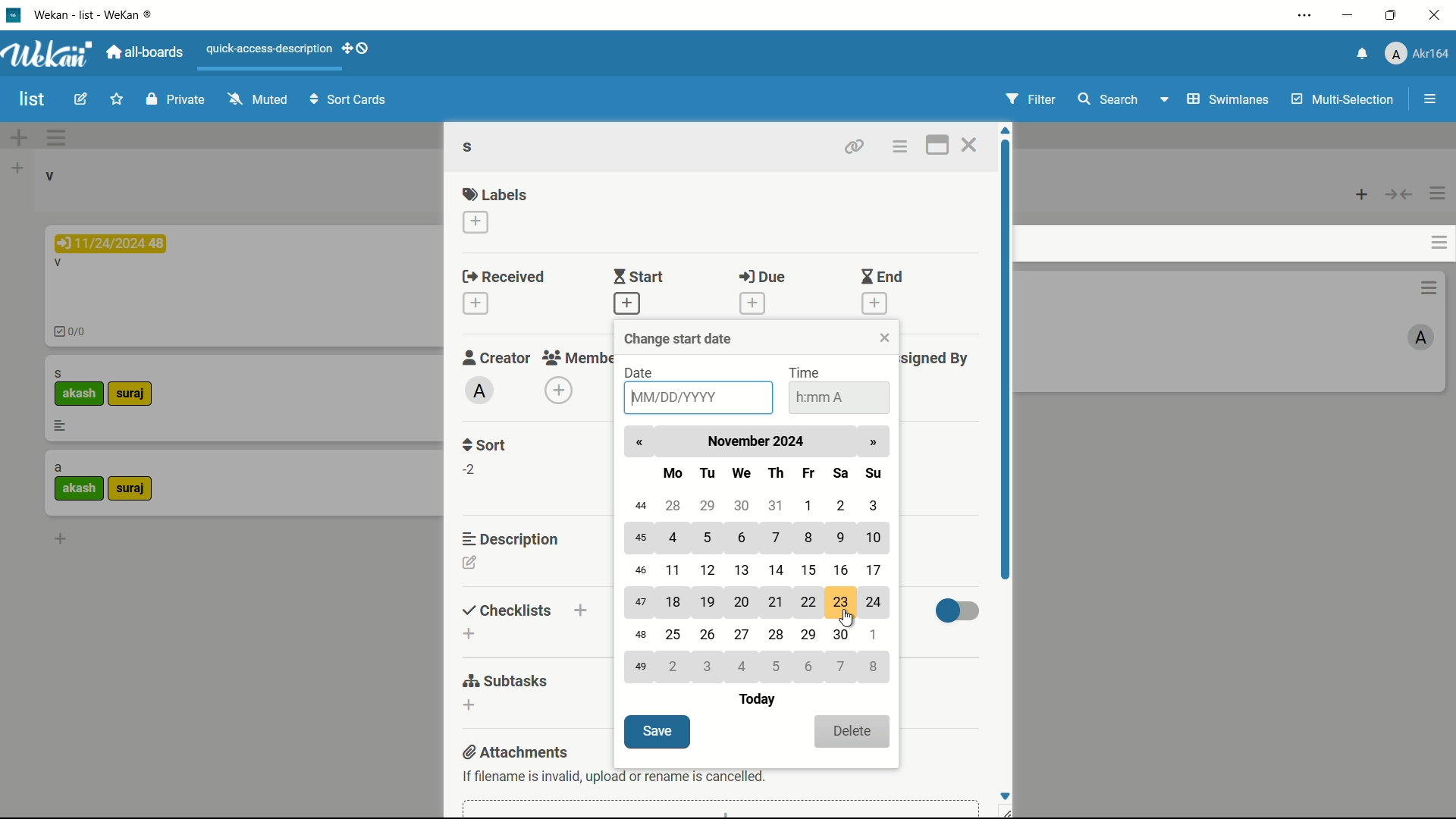 Image resolution: width=1456 pixels, height=819 pixels. I want to click on collapse, so click(1398, 196).